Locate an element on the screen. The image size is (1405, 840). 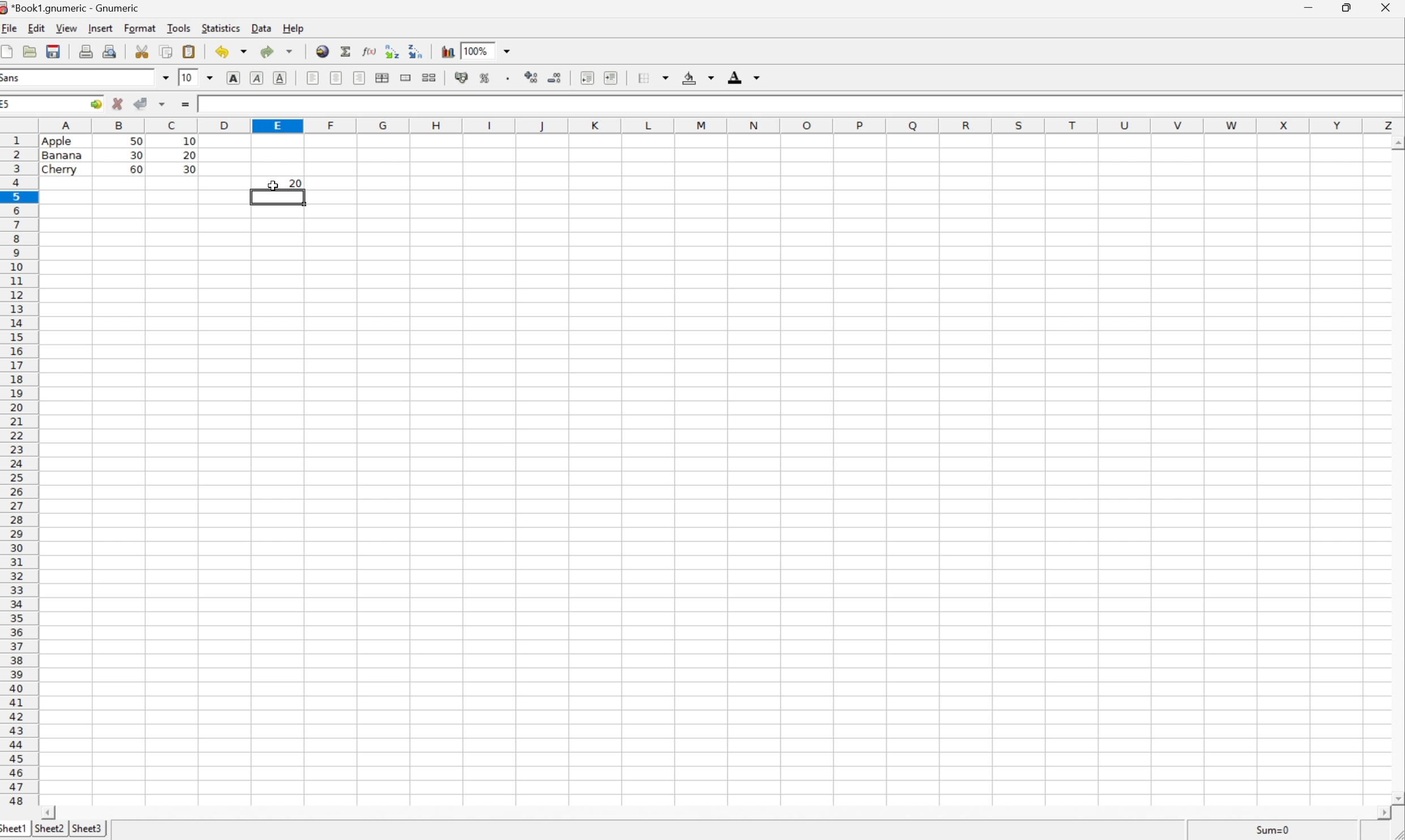
center horizontally is located at coordinates (382, 78).